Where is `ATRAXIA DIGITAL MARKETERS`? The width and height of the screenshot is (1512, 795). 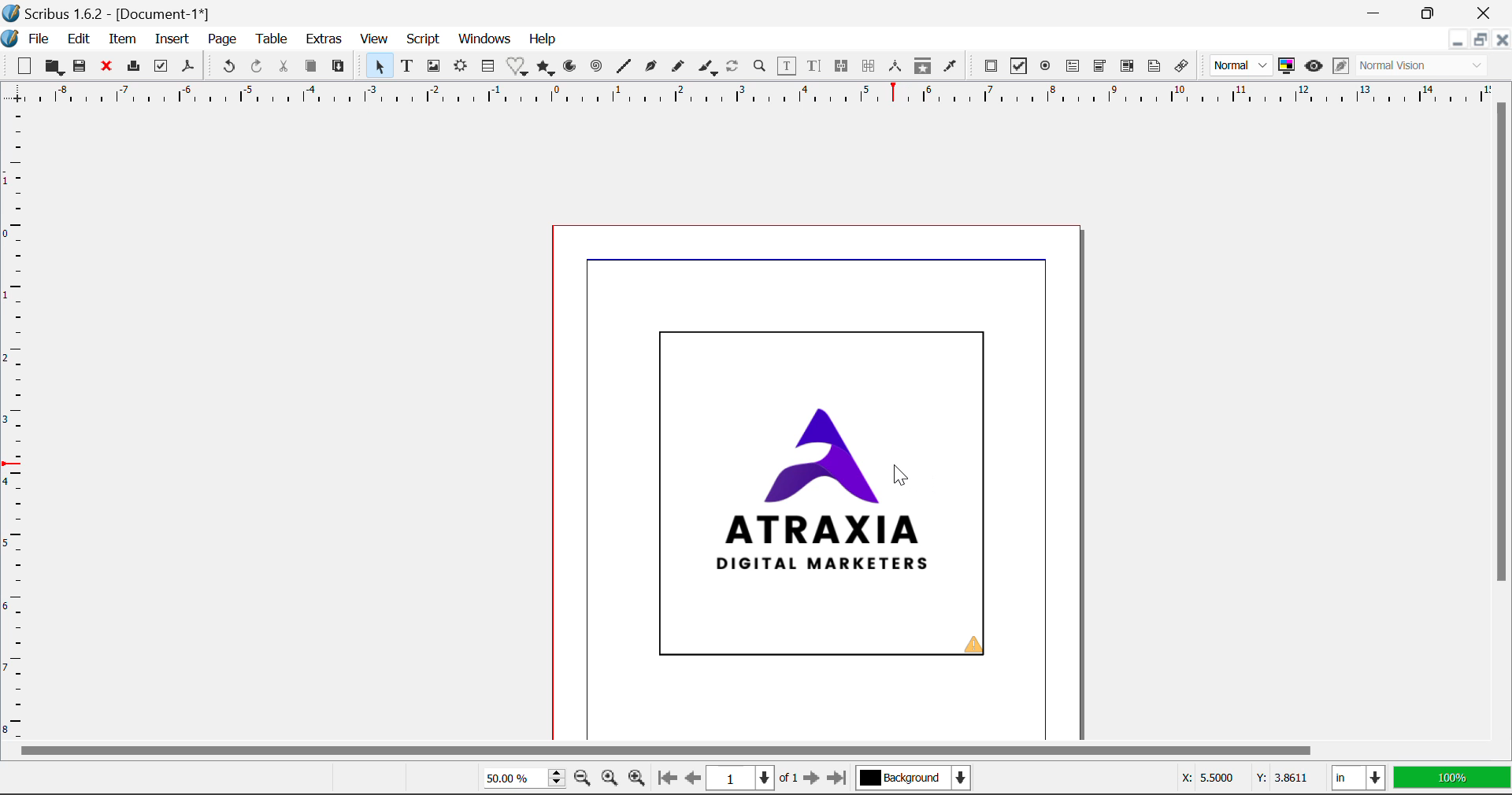
ATRAXIA DIGITAL MARKETERS is located at coordinates (823, 492).